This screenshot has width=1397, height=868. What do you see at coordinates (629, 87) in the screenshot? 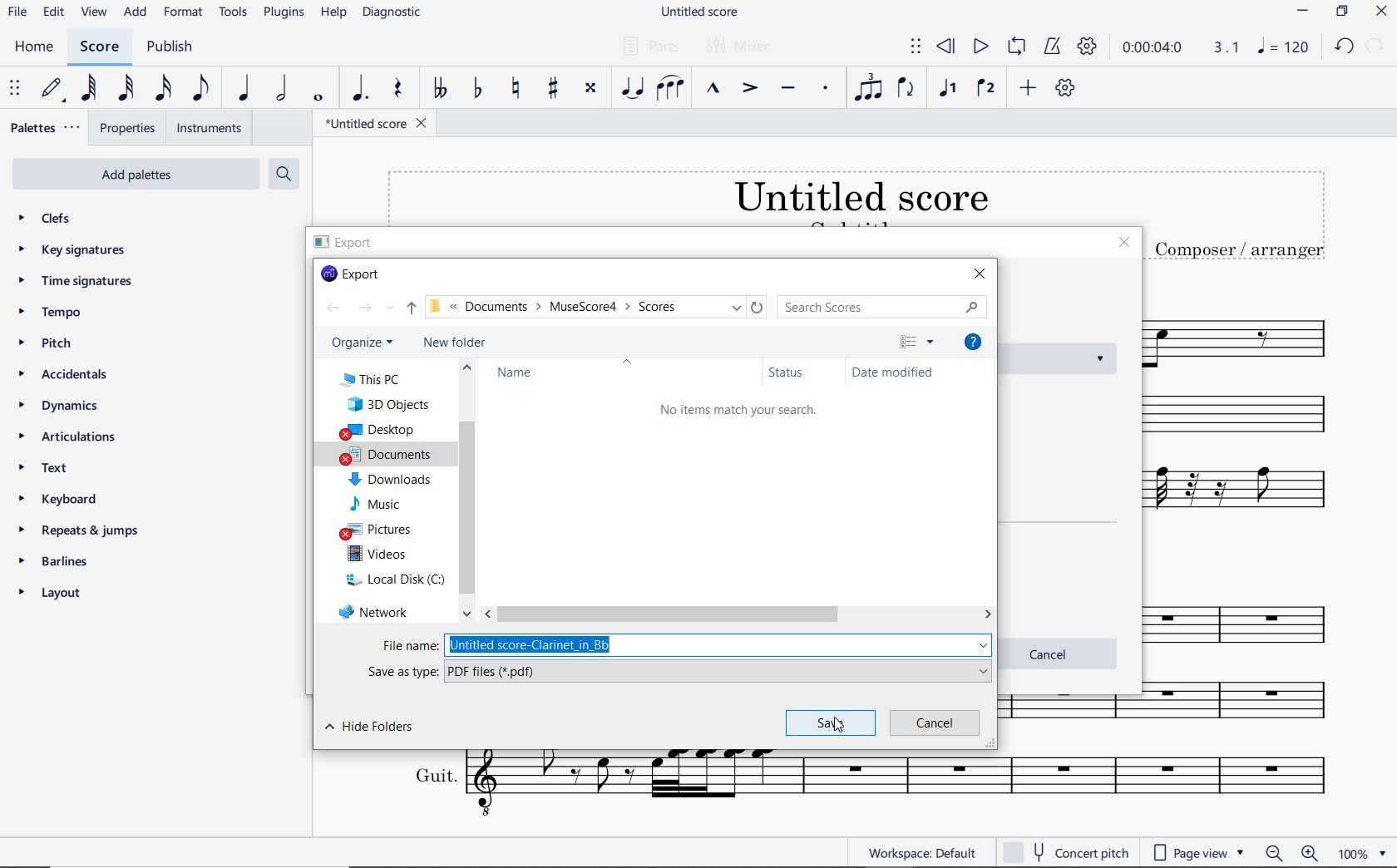
I see `TIE` at bounding box center [629, 87].